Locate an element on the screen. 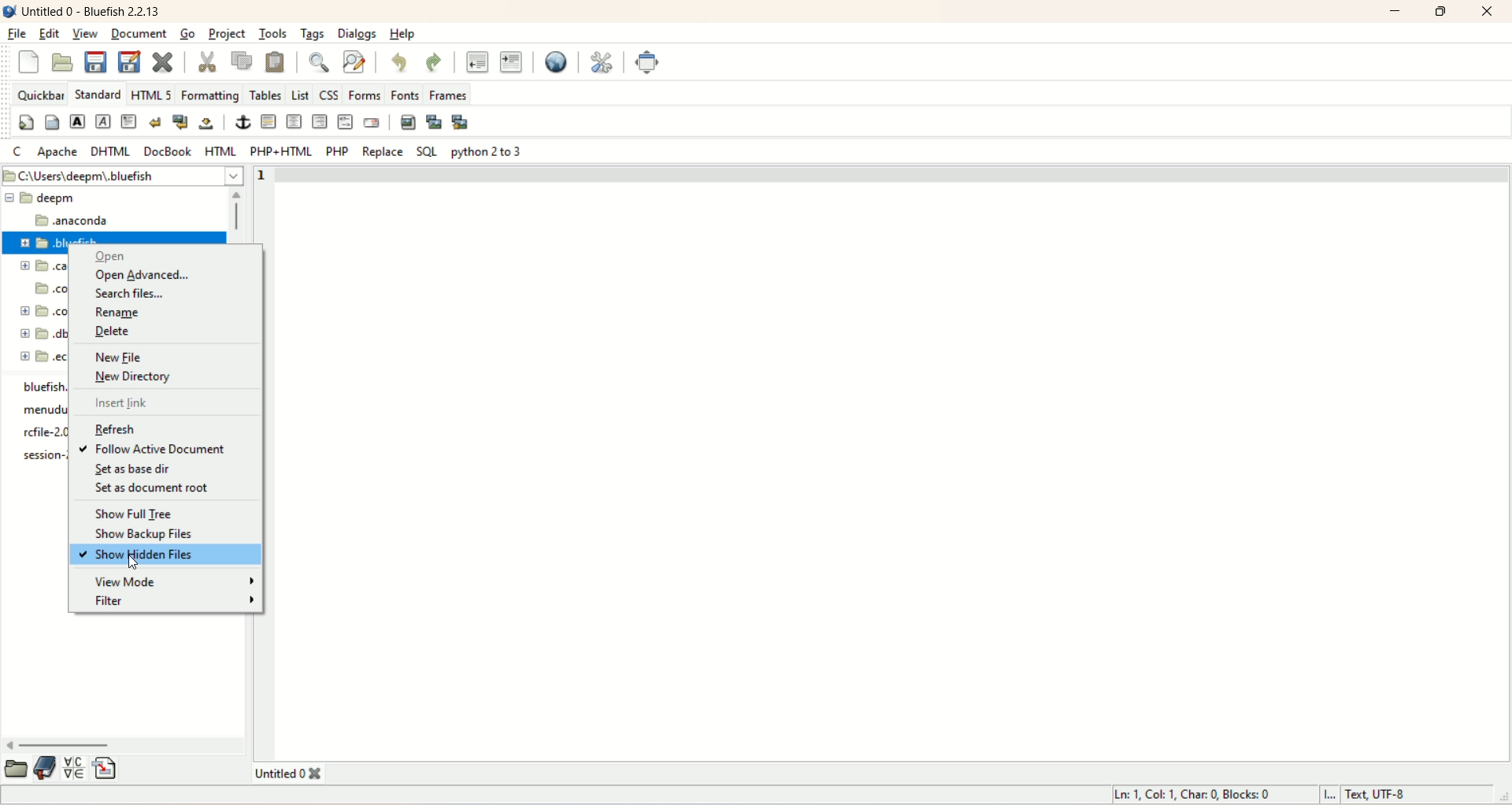  new directory is located at coordinates (132, 377).